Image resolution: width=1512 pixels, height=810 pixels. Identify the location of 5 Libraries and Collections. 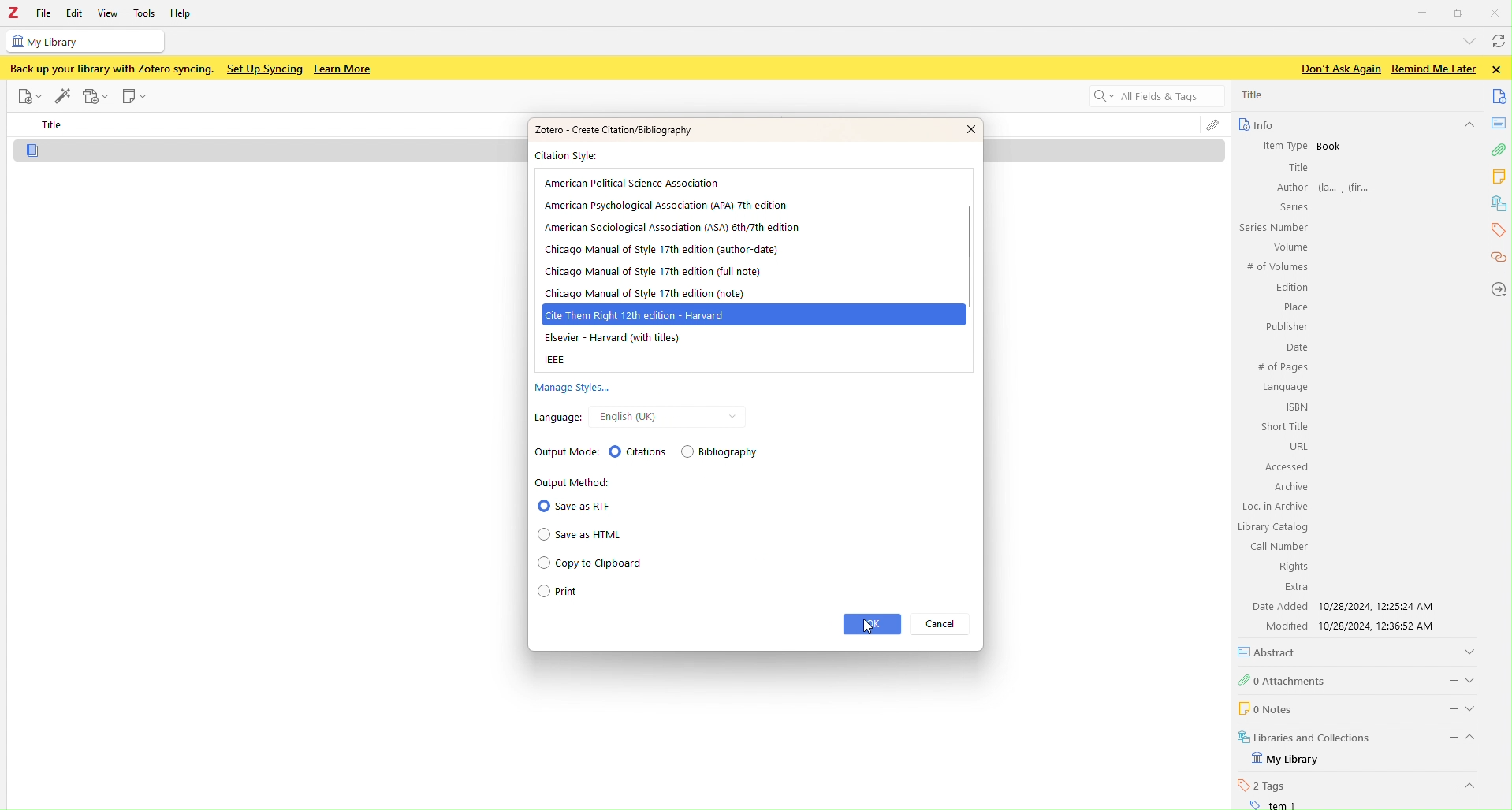
(1305, 736).